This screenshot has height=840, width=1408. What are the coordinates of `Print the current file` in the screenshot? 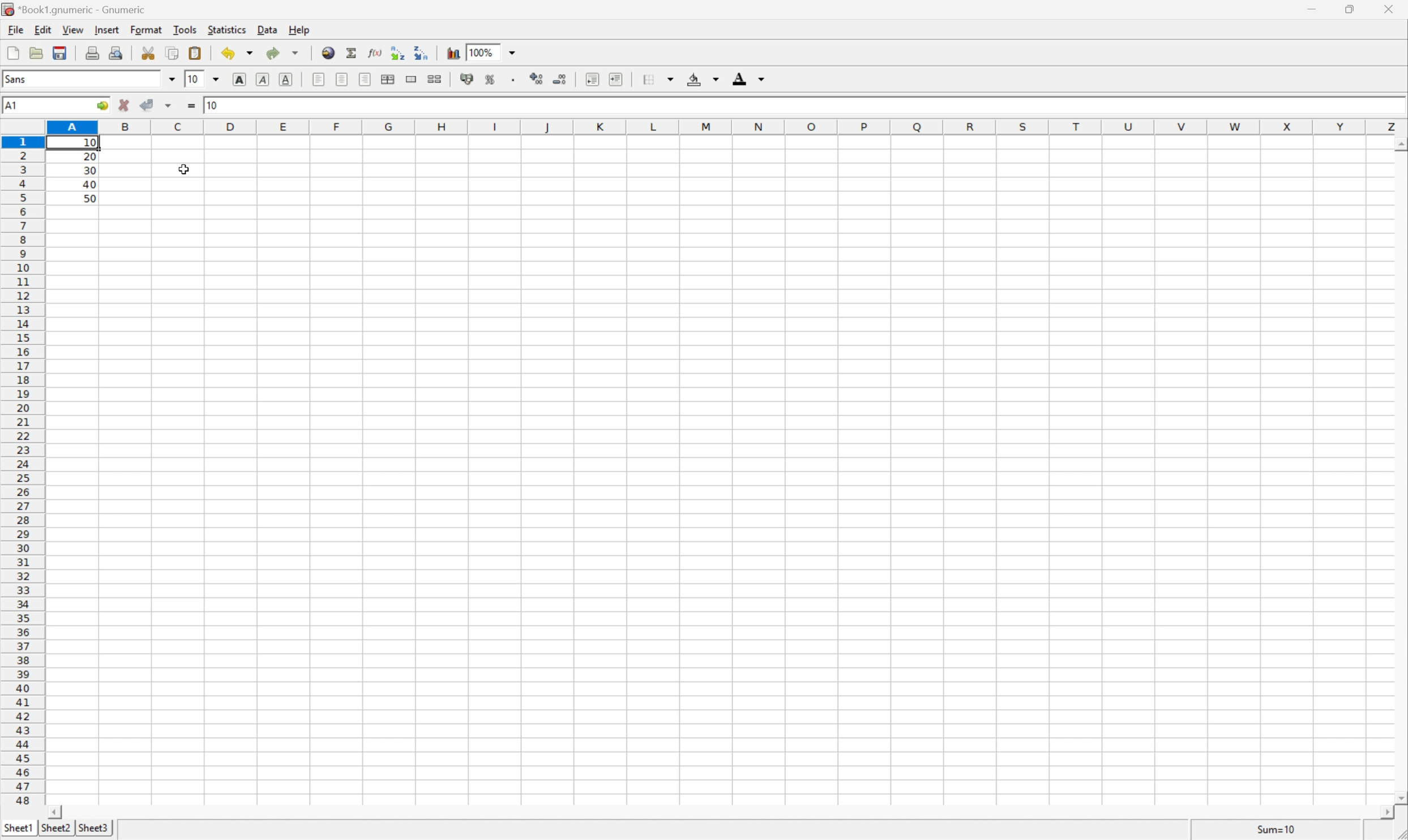 It's located at (92, 53).